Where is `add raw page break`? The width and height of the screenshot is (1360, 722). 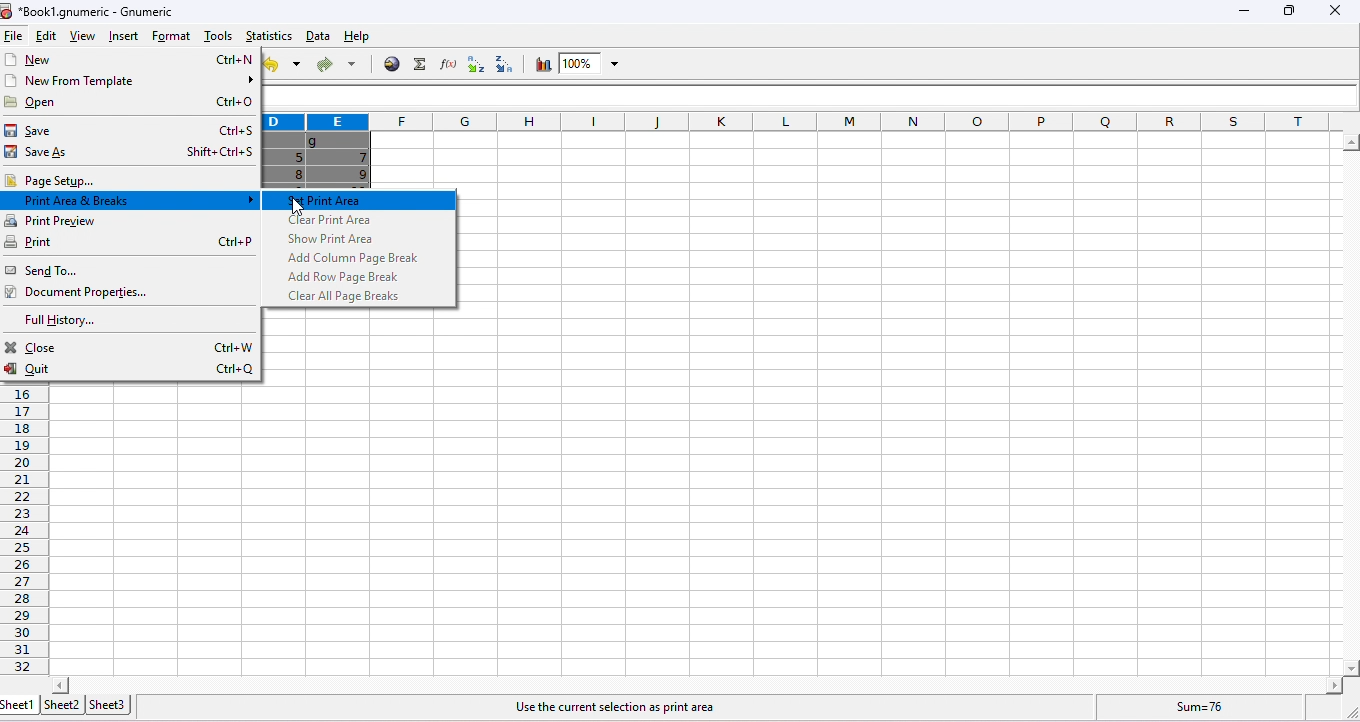 add raw page break is located at coordinates (348, 277).